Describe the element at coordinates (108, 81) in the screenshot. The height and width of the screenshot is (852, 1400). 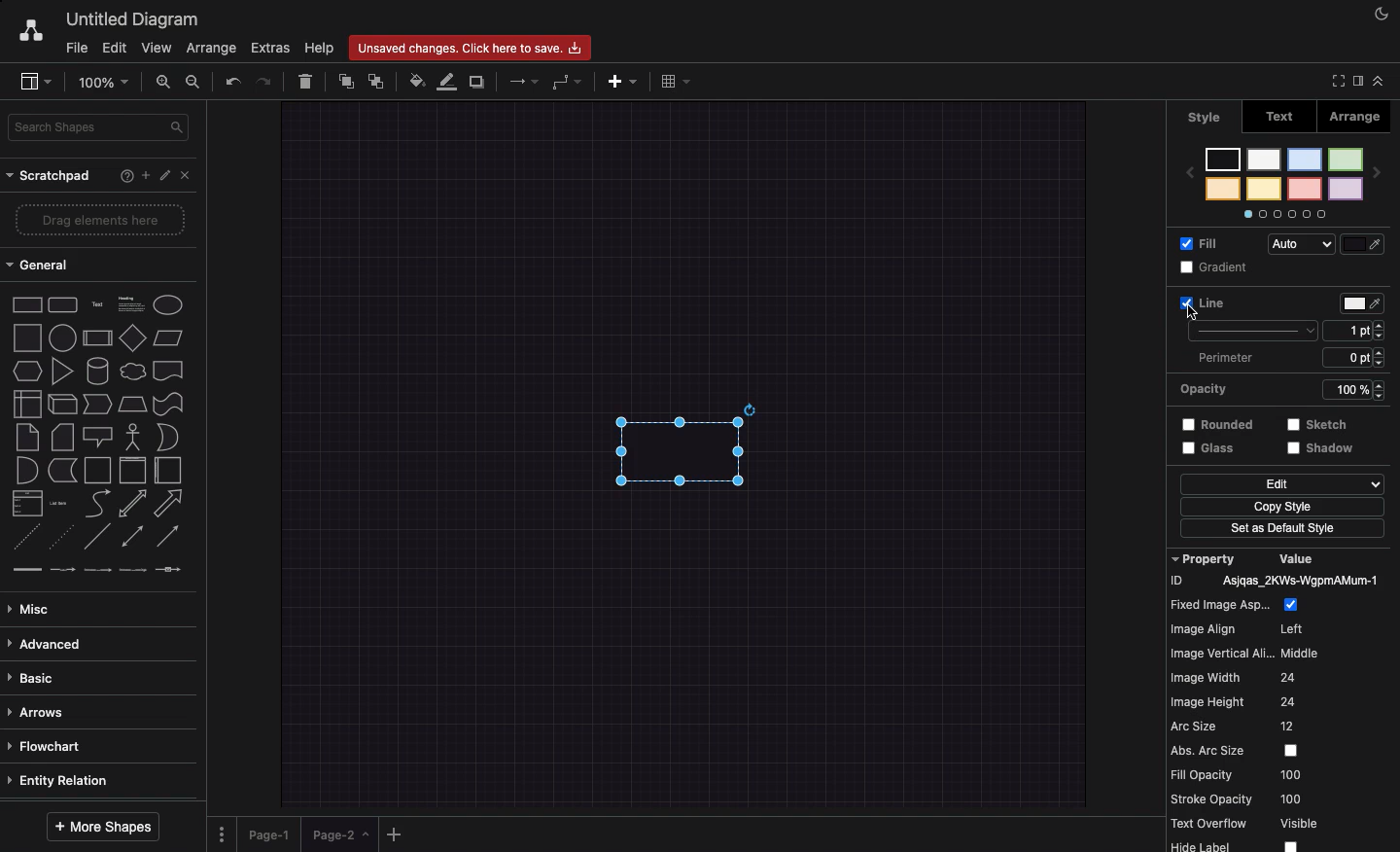
I see `Zoom` at that location.